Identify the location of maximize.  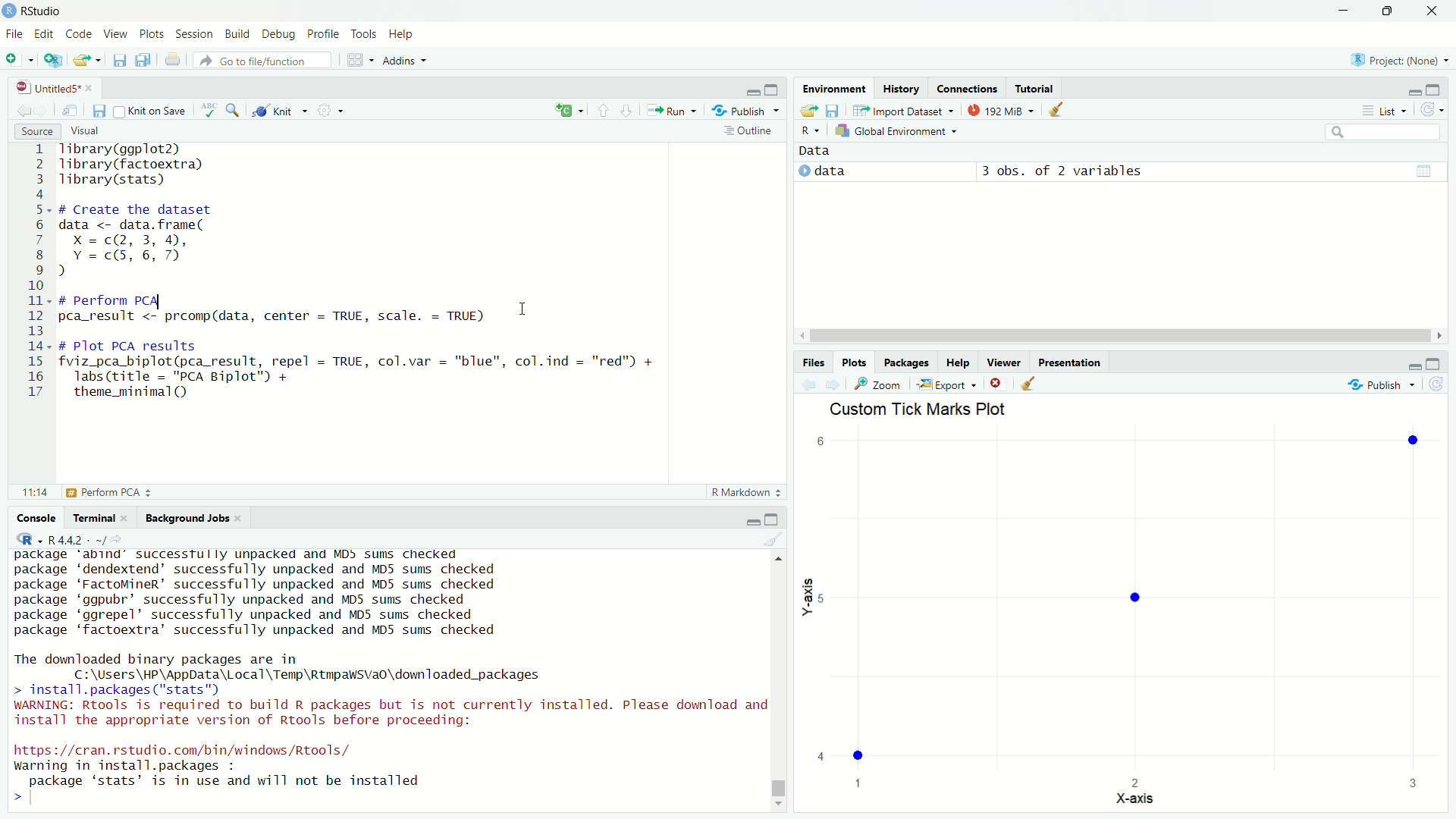
(775, 90).